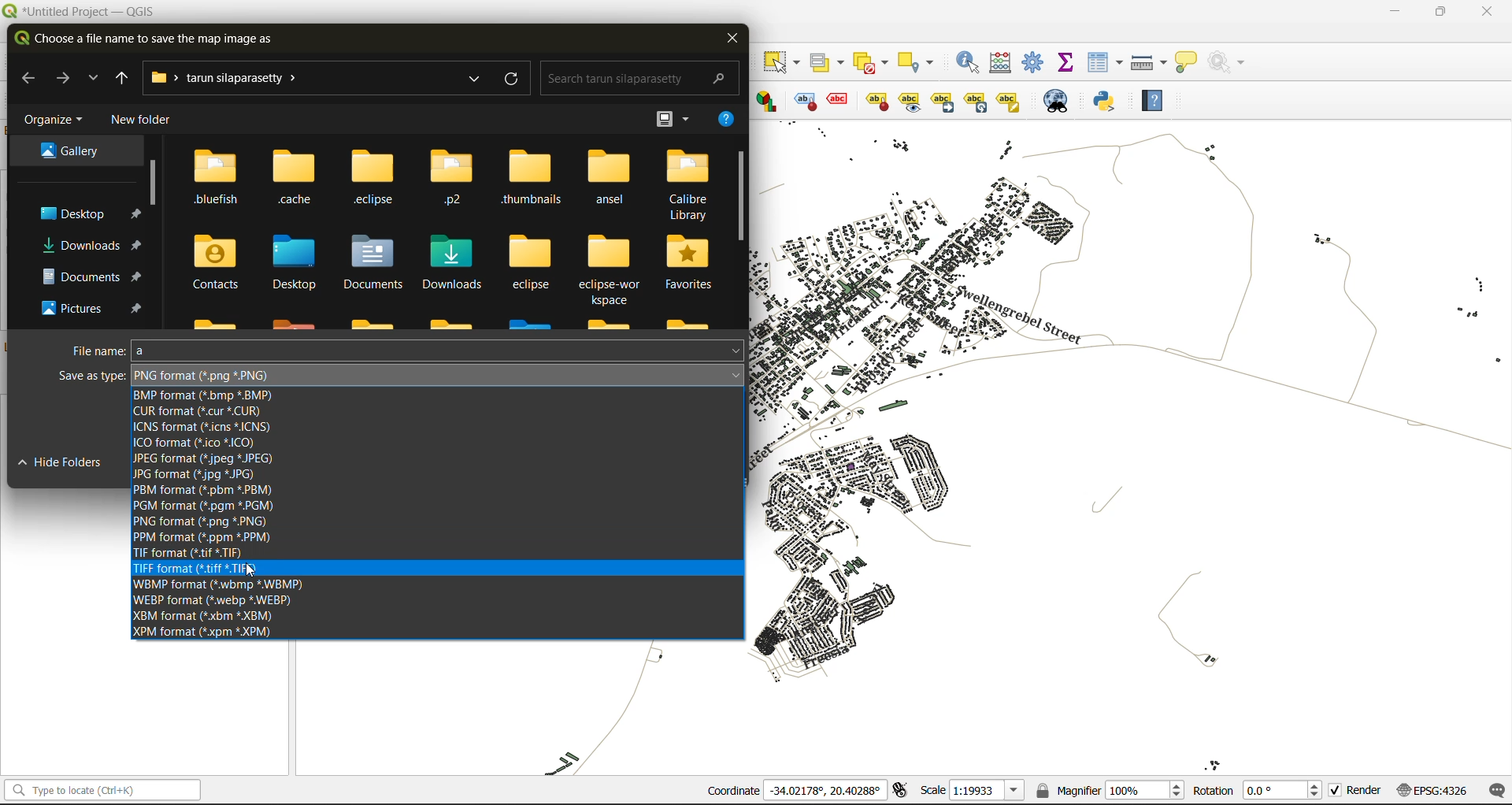 The image size is (1512, 805). Describe the element at coordinates (1230, 62) in the screenshot. I see `no action` at that location.